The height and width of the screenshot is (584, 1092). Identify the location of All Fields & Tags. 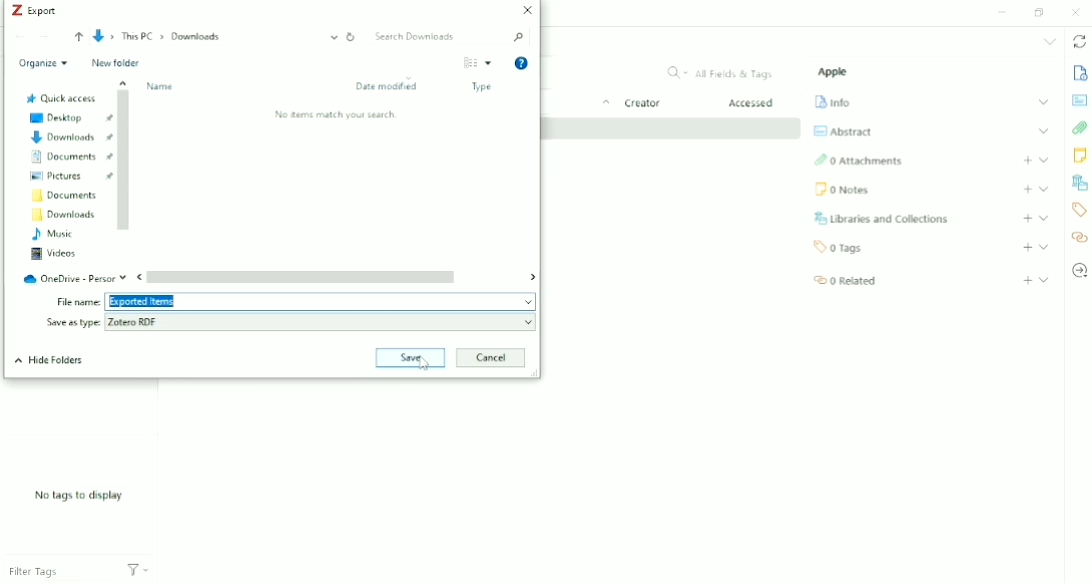
(719, 73).